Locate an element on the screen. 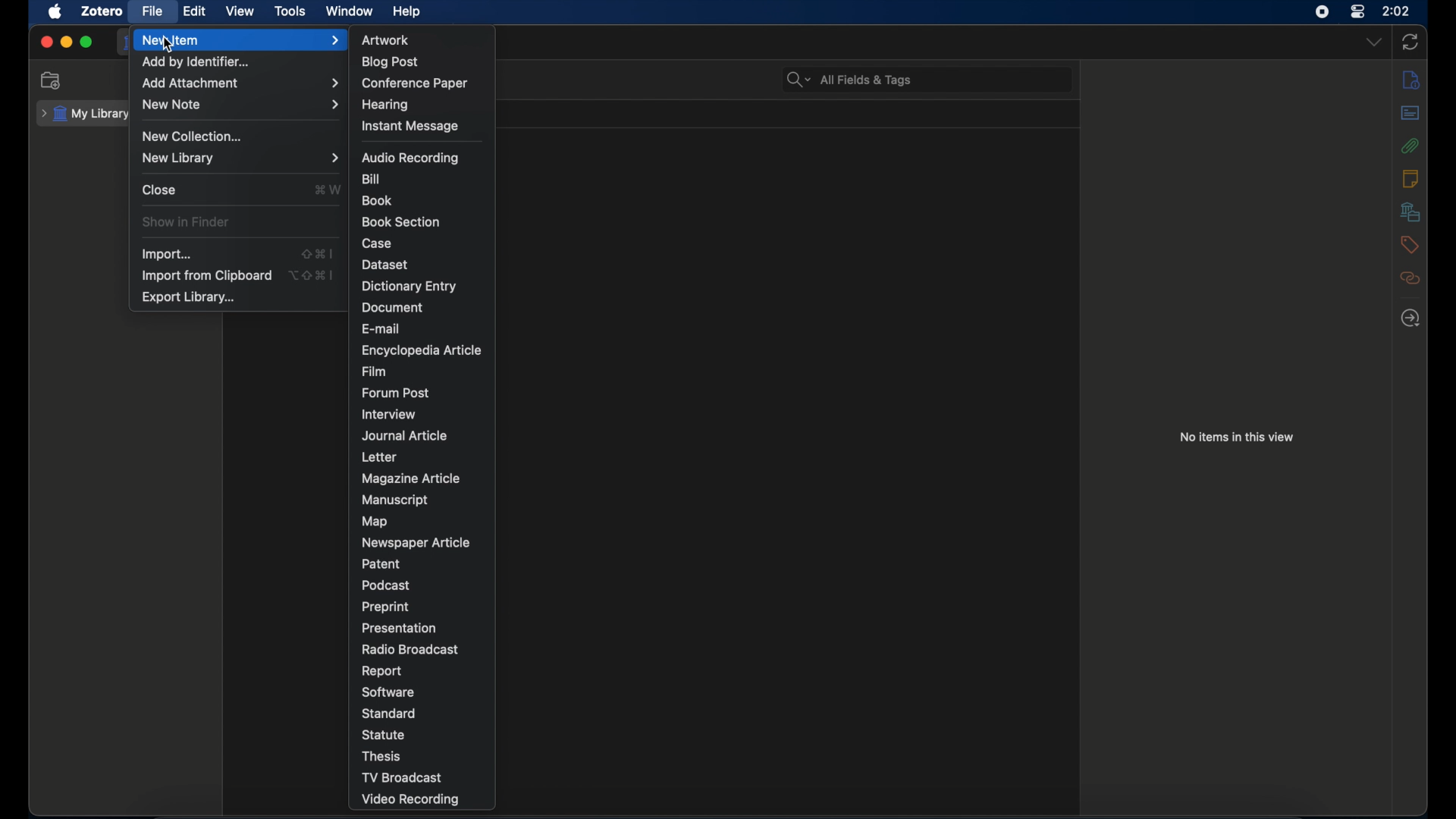 This screenshot has width=1456, height=819. notes is located at coordinates (1410, 180).